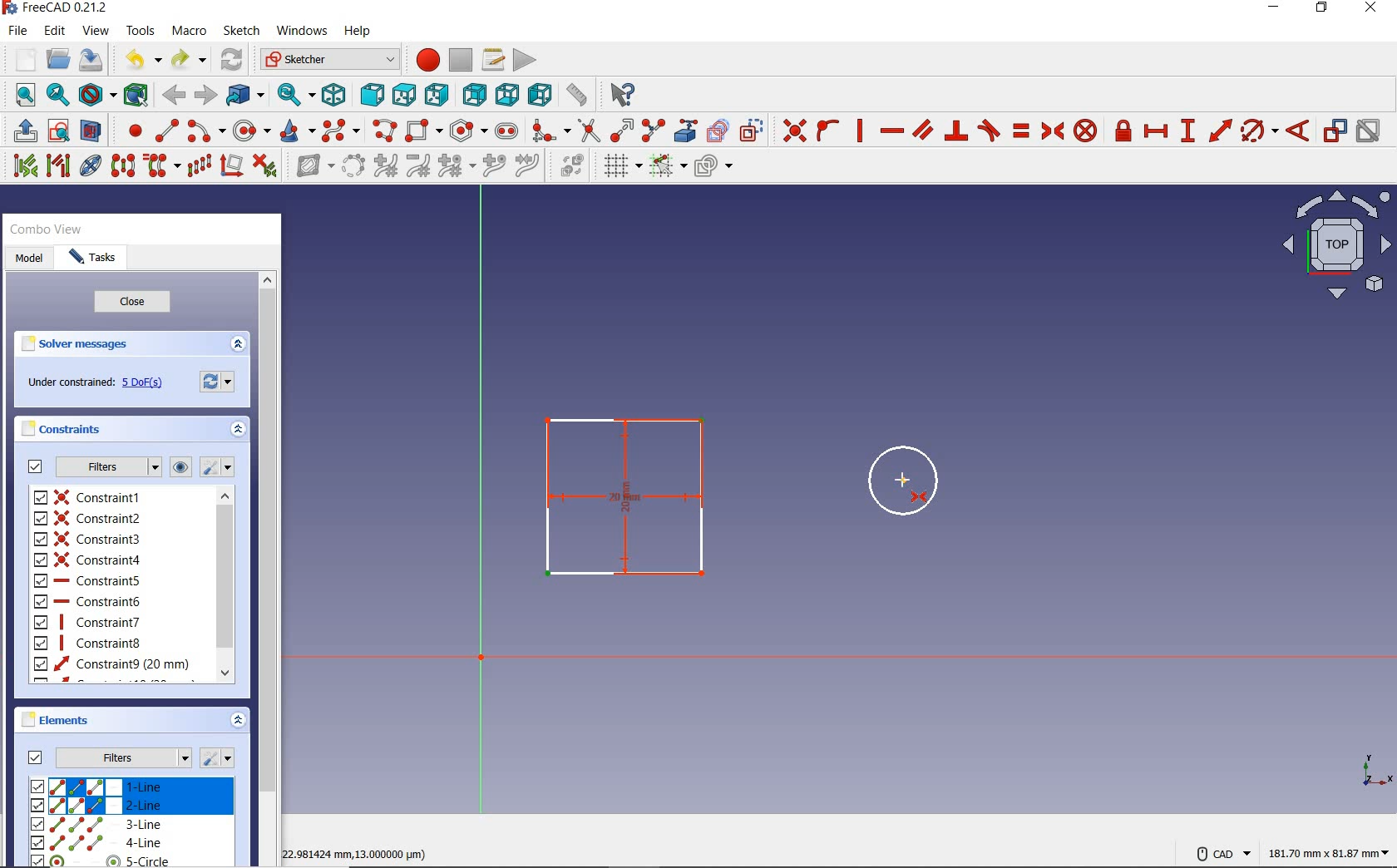 The width and height of the screenshot is (1397, 868). Describe the element at coordinates (45, 229) in the screenshot. I see `combo view` at that location.